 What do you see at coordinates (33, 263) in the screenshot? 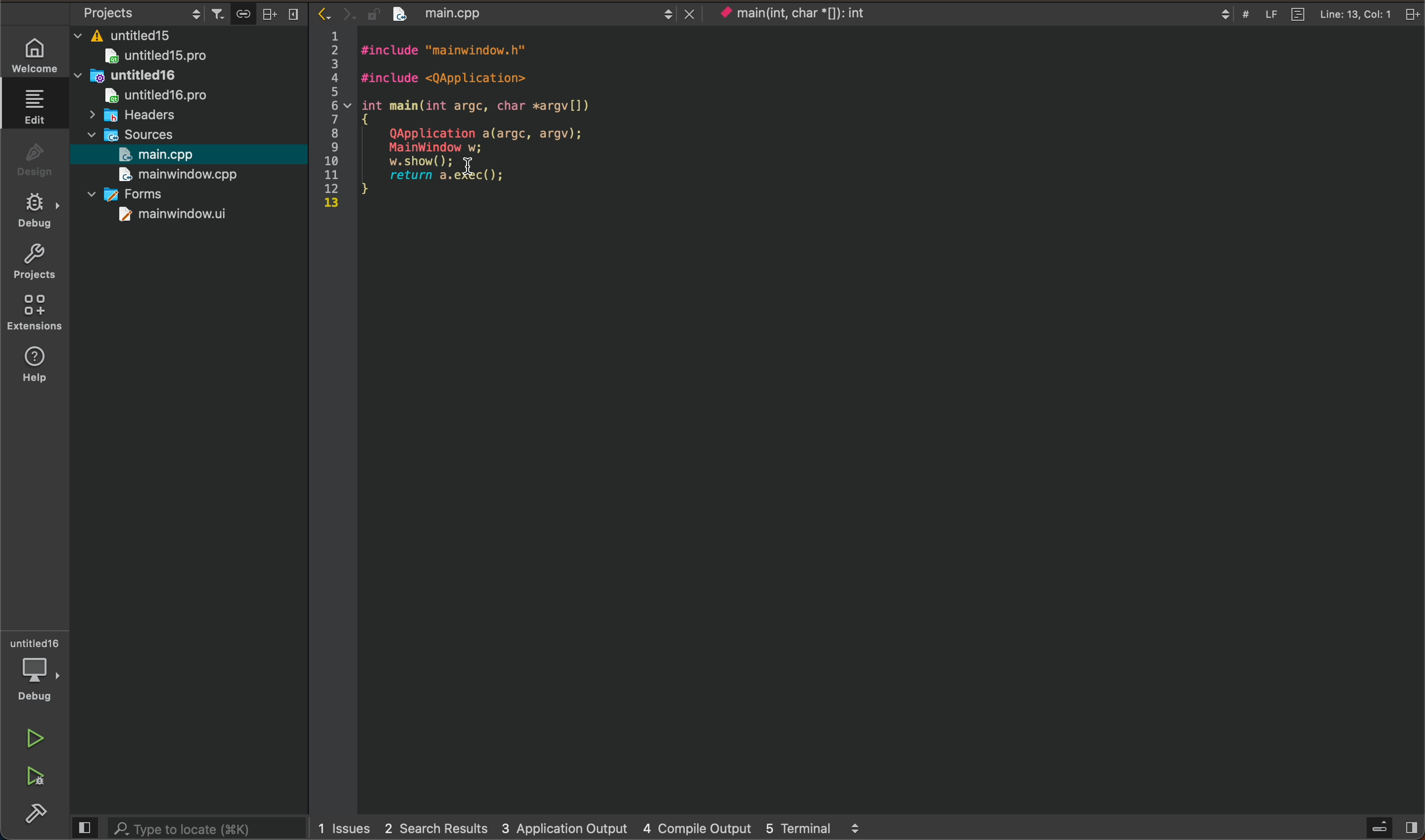
I see `projects` at bounding box center [33, 263].